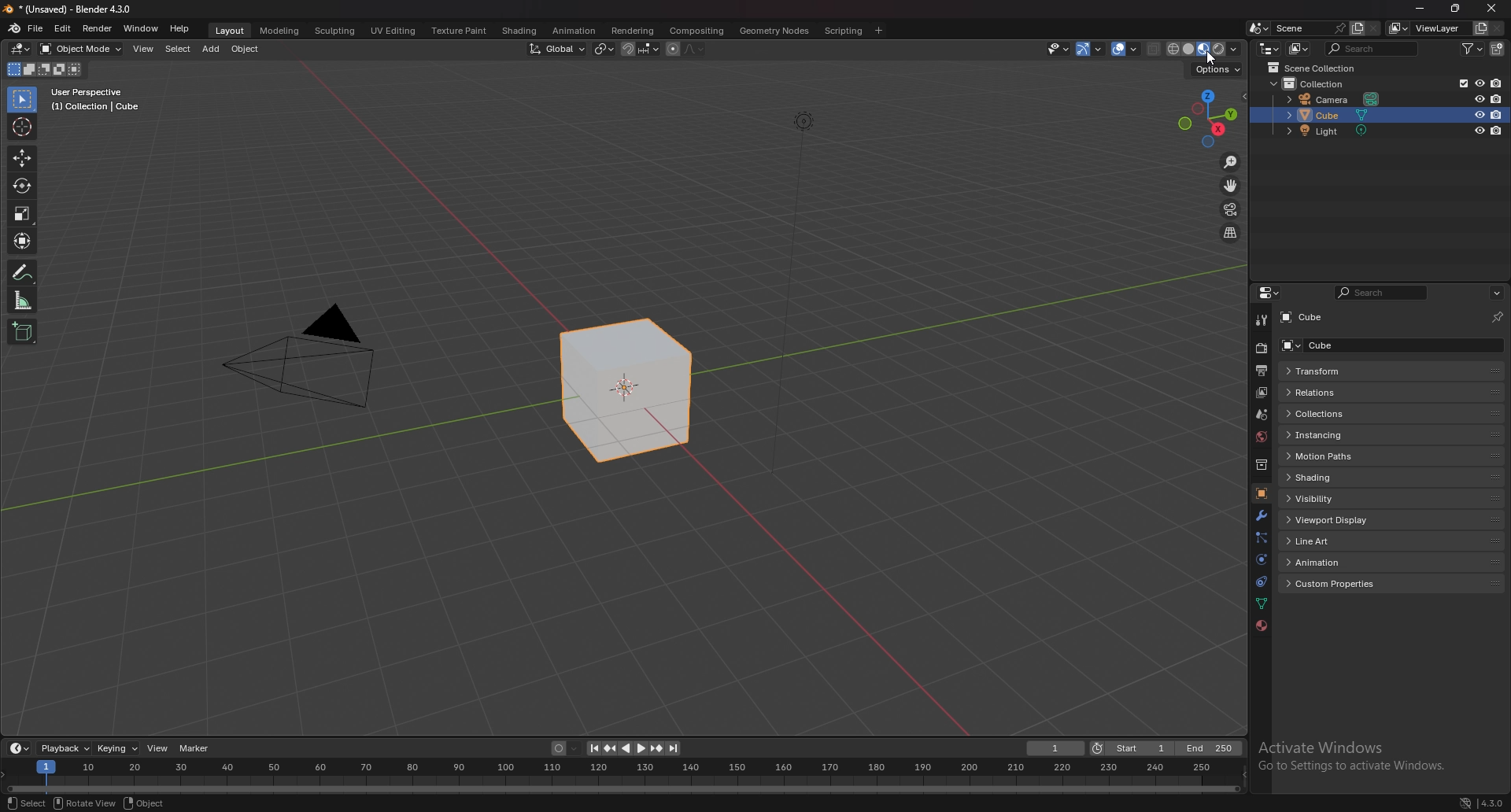 This screenshot has height=812, width=1511. Describe the element at coordinates (27, 803) in the screenshot. I see `select` at that location.